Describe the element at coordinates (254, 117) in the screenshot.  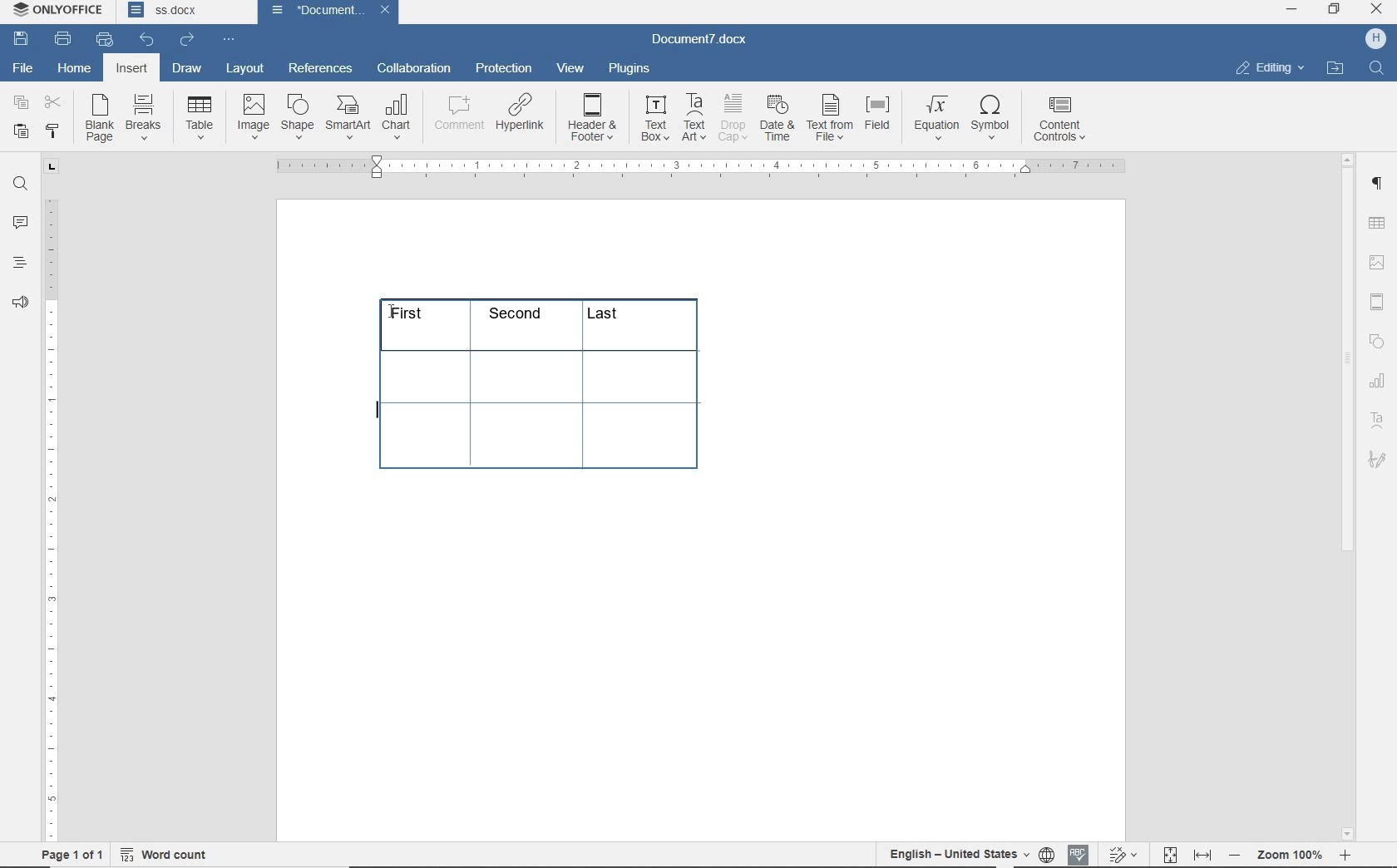
I see `image` at that location.